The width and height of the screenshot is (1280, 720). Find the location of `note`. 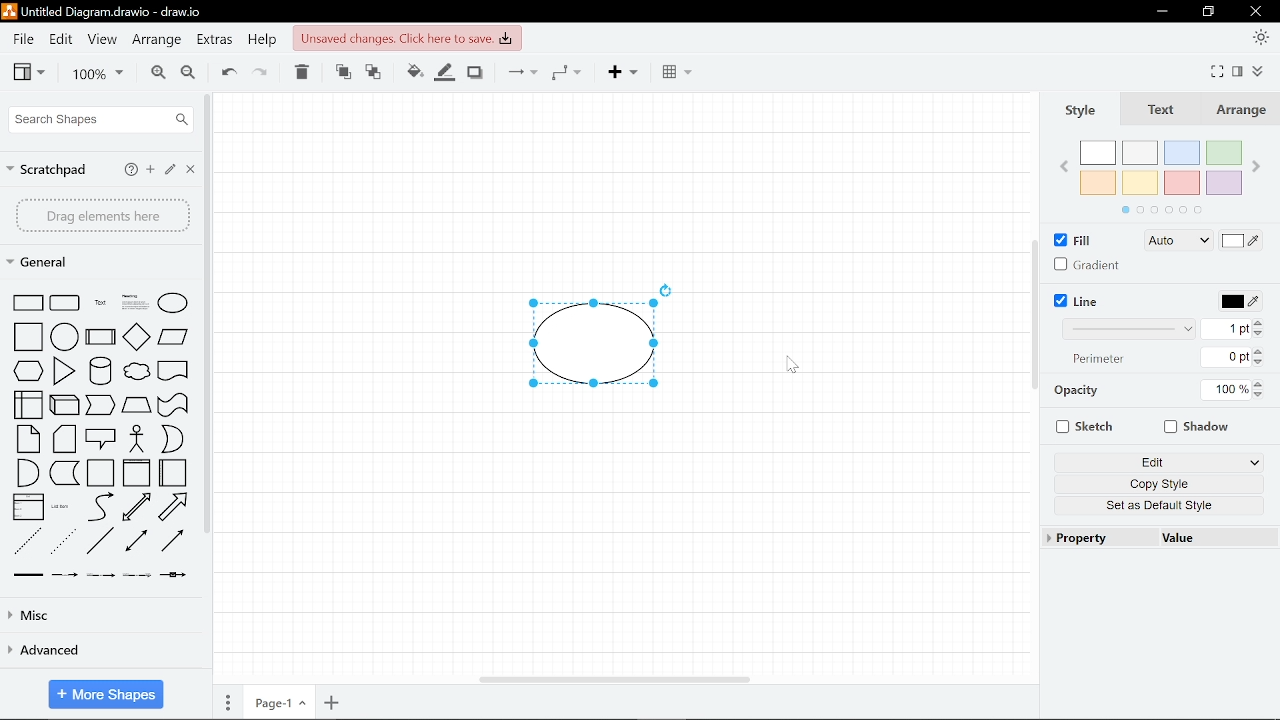

note is located at coordinates (29, 439).